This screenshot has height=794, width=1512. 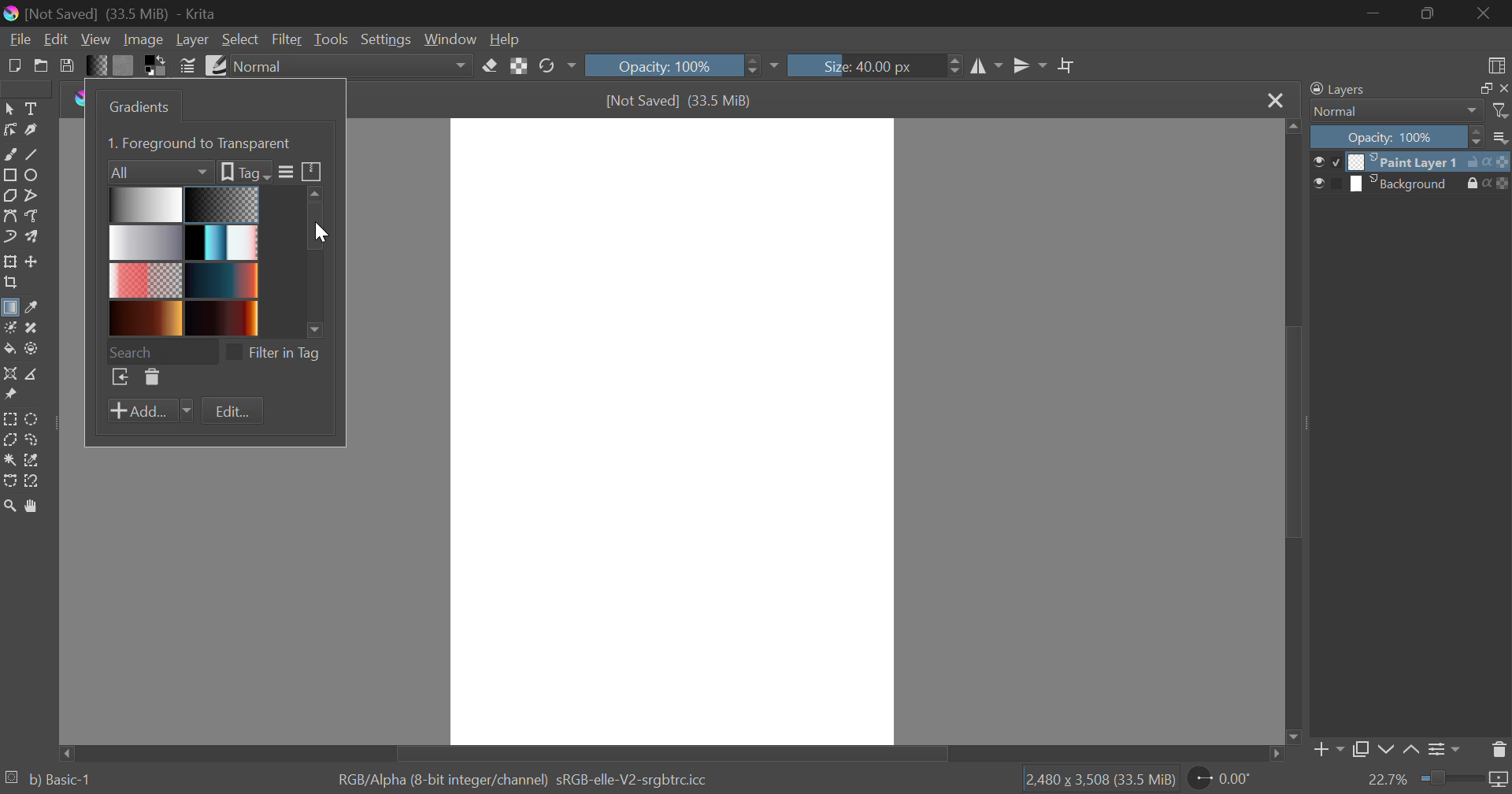 I want to click on Rectangle, so click(x=9, y=175).